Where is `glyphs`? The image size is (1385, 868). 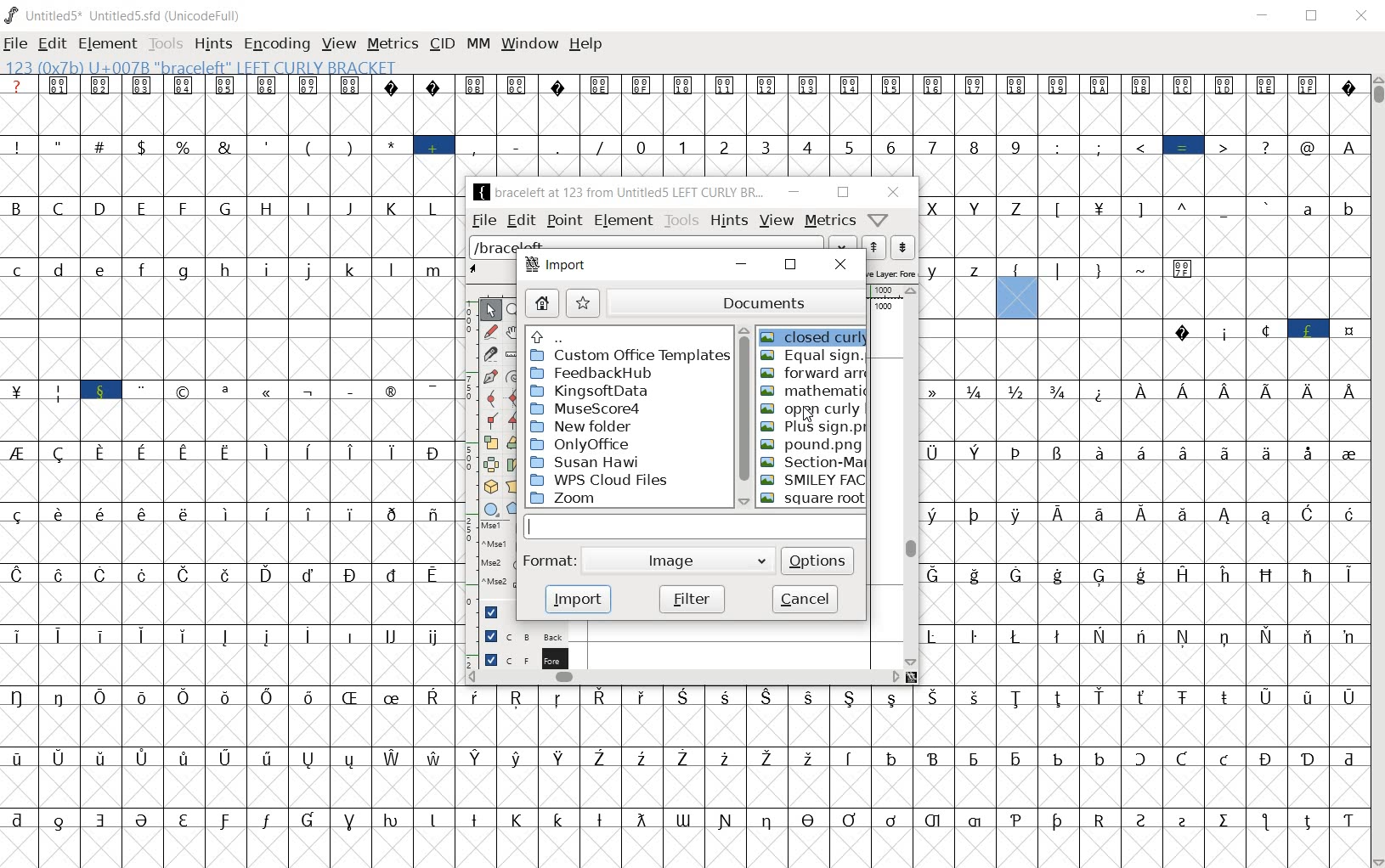 glyphs is located at coordinates (229, 458).